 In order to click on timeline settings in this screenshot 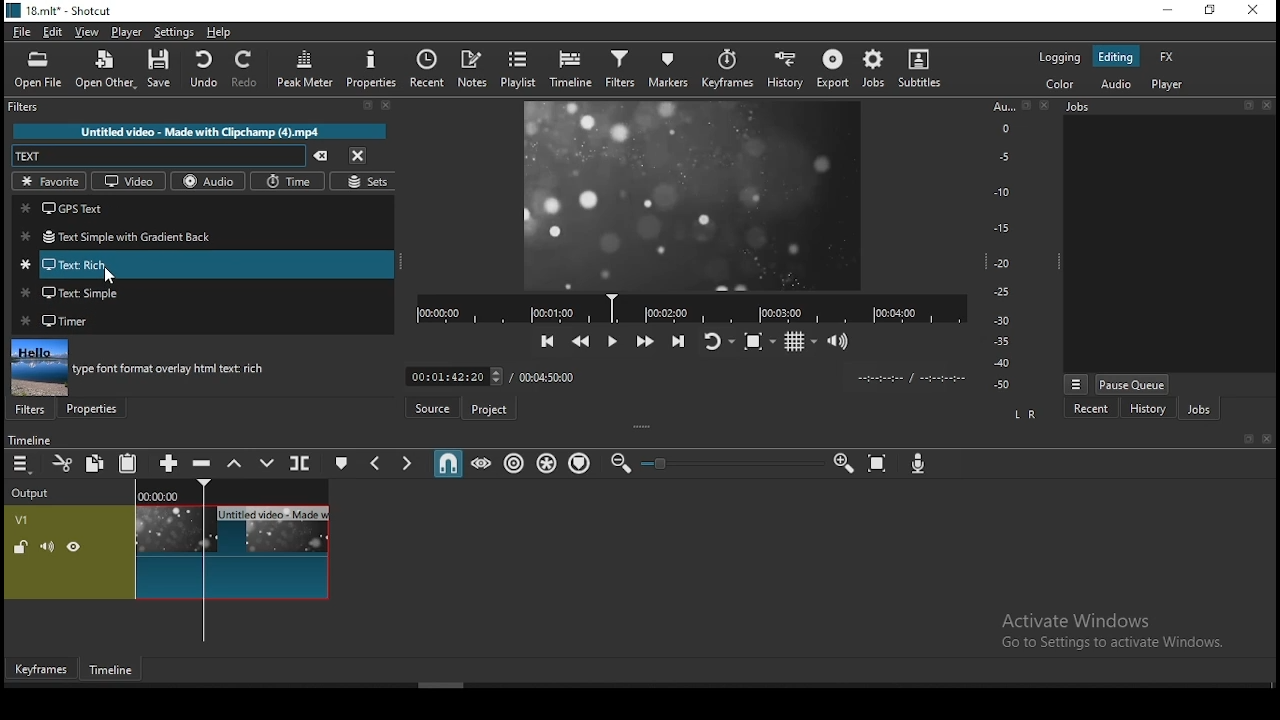, I will do `click(22, 462)`.